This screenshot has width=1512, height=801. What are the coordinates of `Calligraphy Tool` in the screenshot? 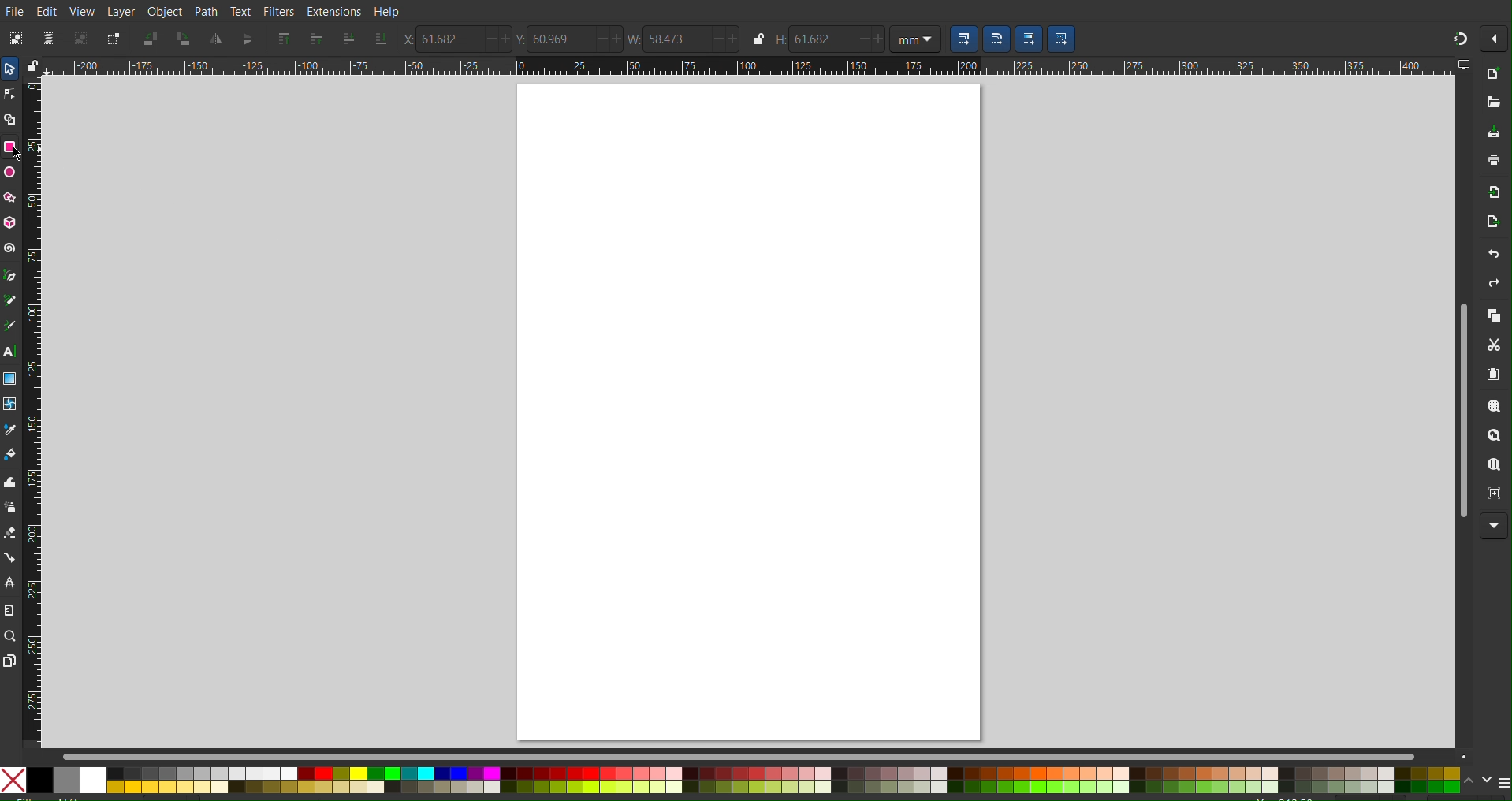 It's located at (9, 326).